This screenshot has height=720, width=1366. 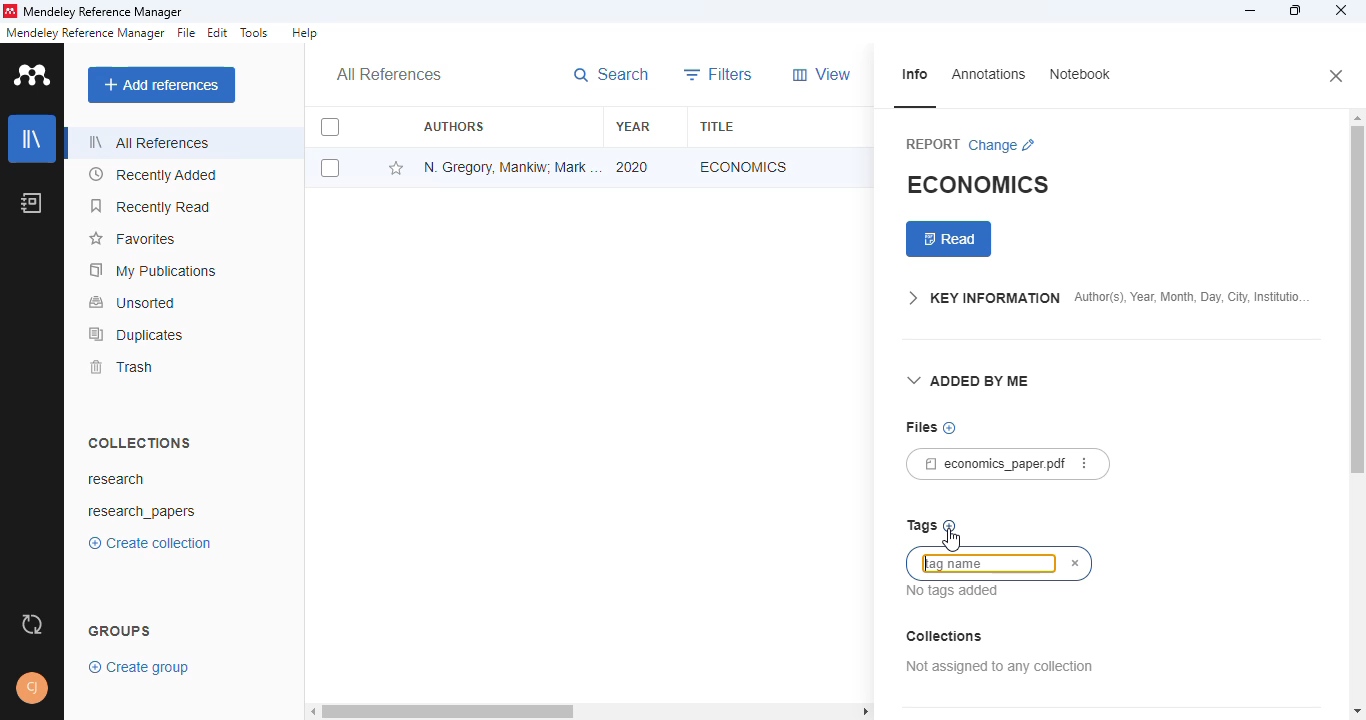 What do you see at coordinates (135, 335) in the screenshot?
I see `duplicates` at bounding box center [135, 335].